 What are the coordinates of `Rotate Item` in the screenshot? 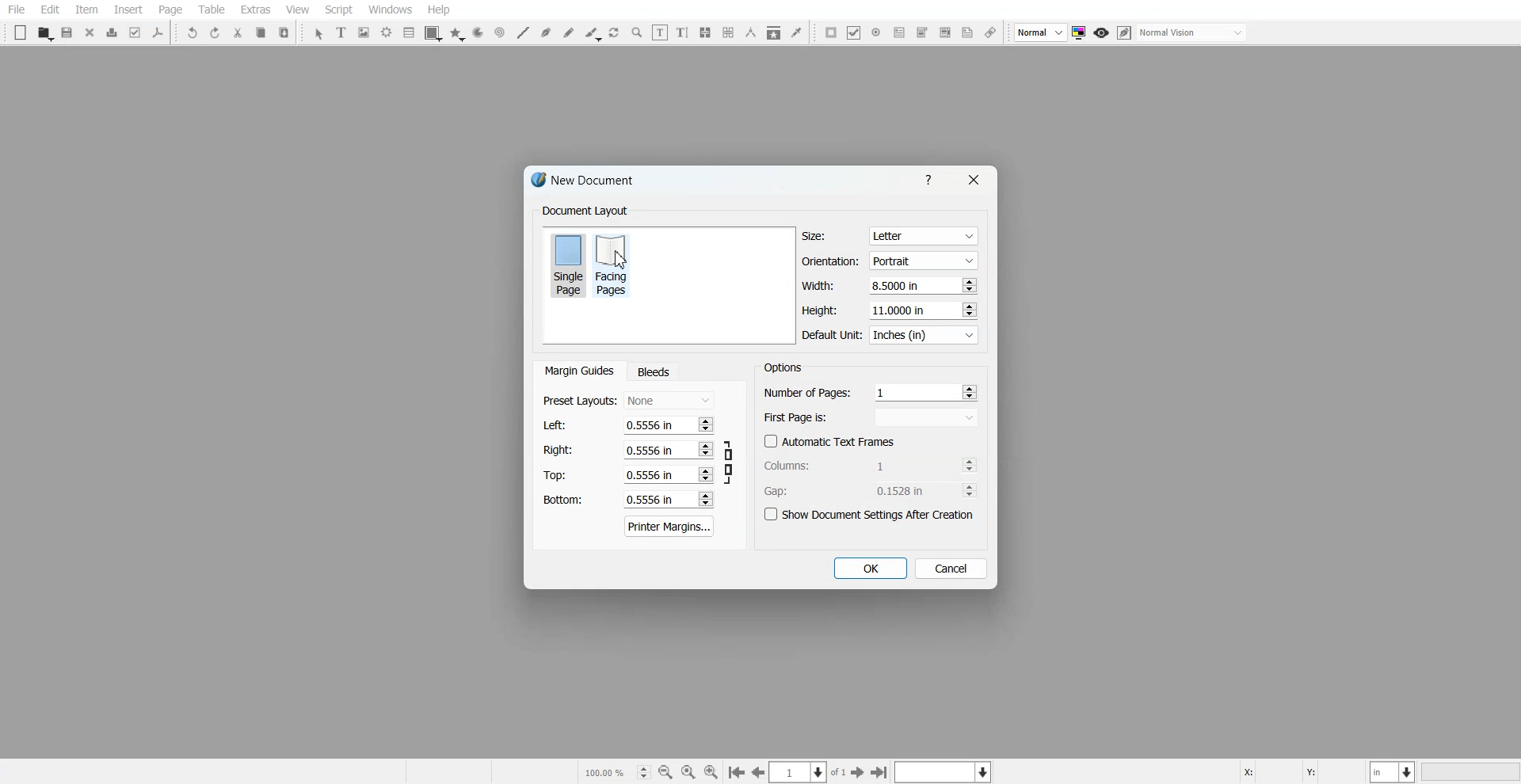 It's located at (616, 33).